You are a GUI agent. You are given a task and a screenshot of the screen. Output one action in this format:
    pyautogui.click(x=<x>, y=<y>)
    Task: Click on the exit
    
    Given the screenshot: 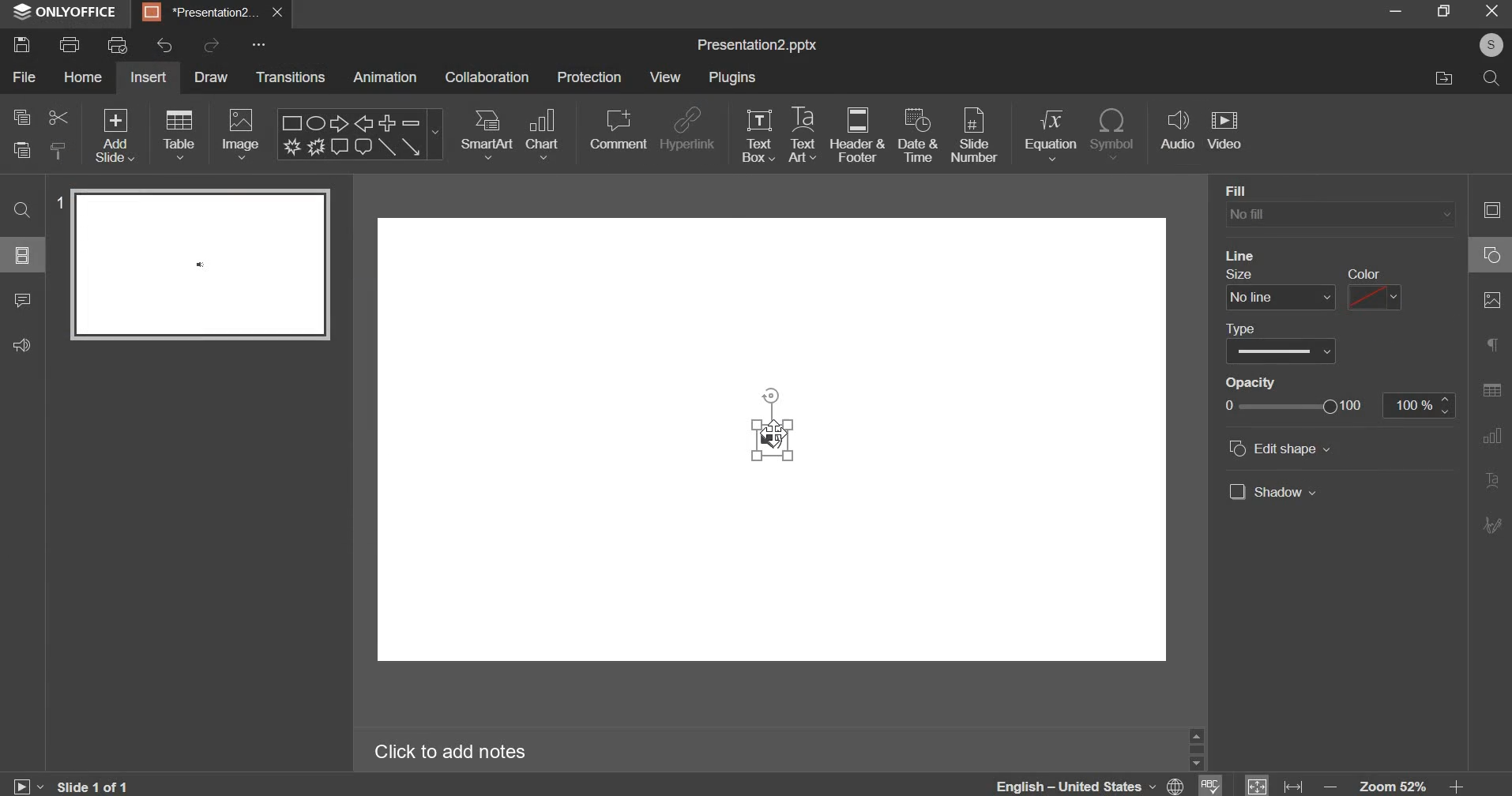 What is the action you would take?
    pyautogui.click(x=1492, y=11)
    